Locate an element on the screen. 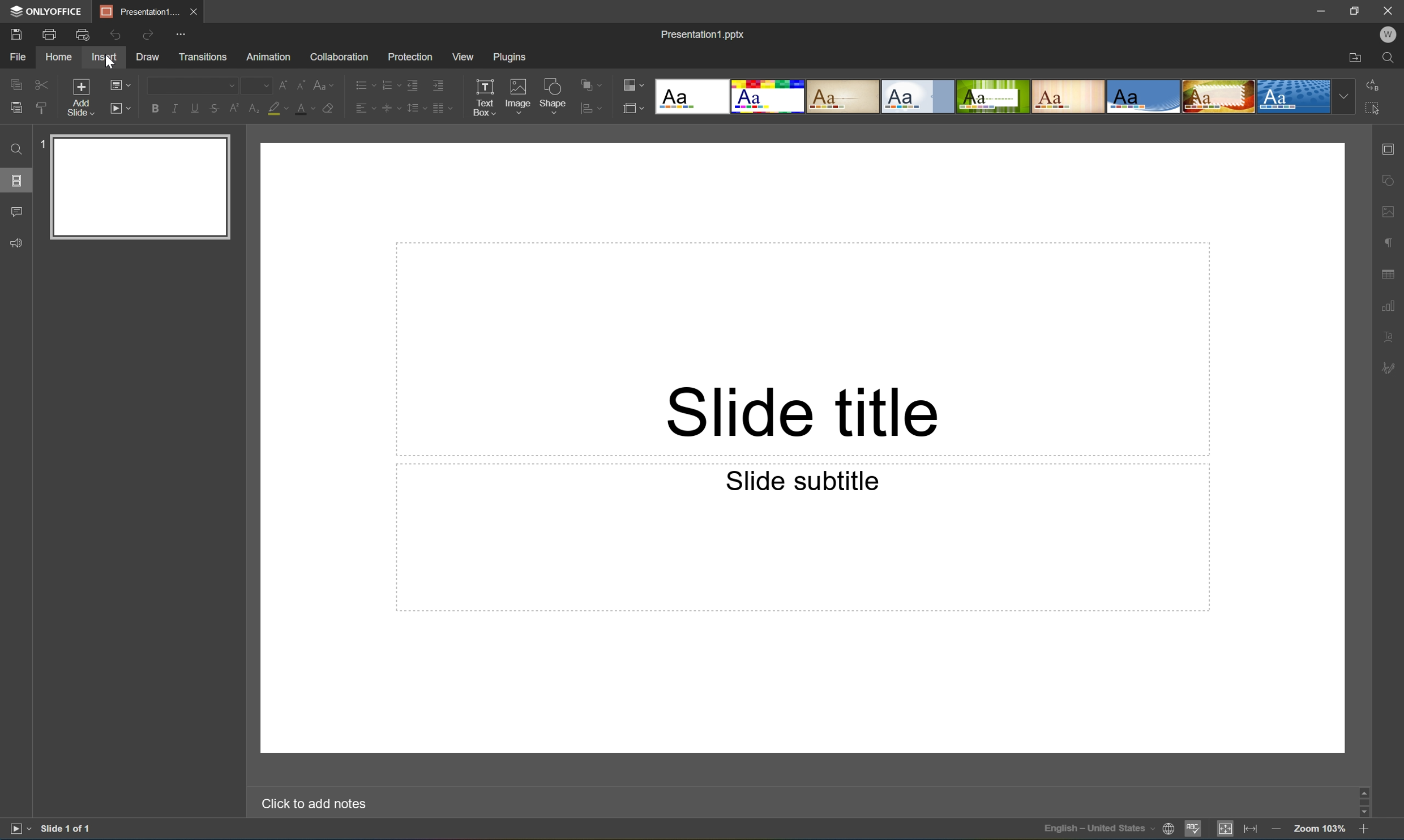 The image size is (1404, 840). Save is located at coordinates (15, 33).